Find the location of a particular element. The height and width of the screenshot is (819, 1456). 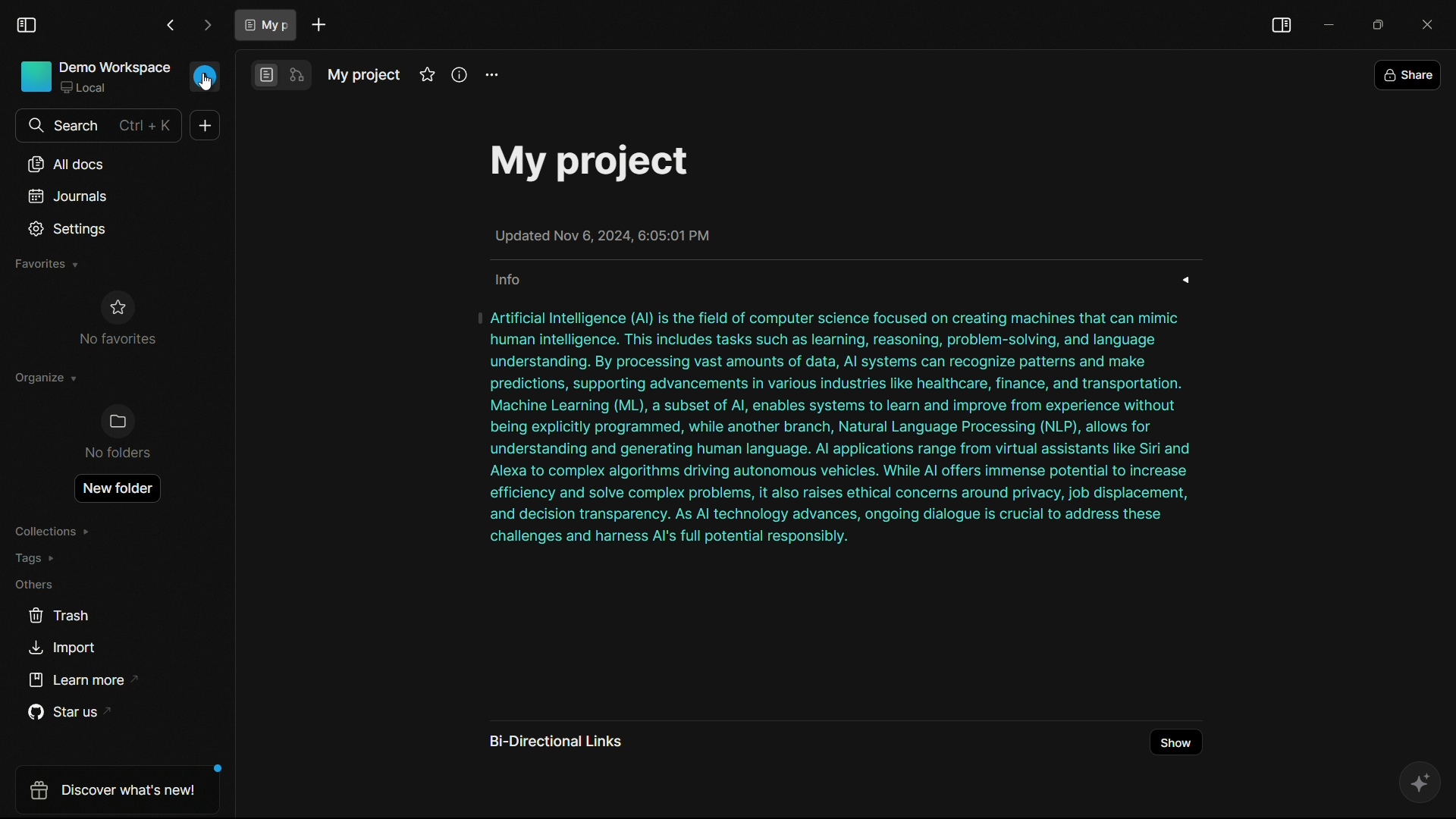

import is located at coordinates (61, 648).